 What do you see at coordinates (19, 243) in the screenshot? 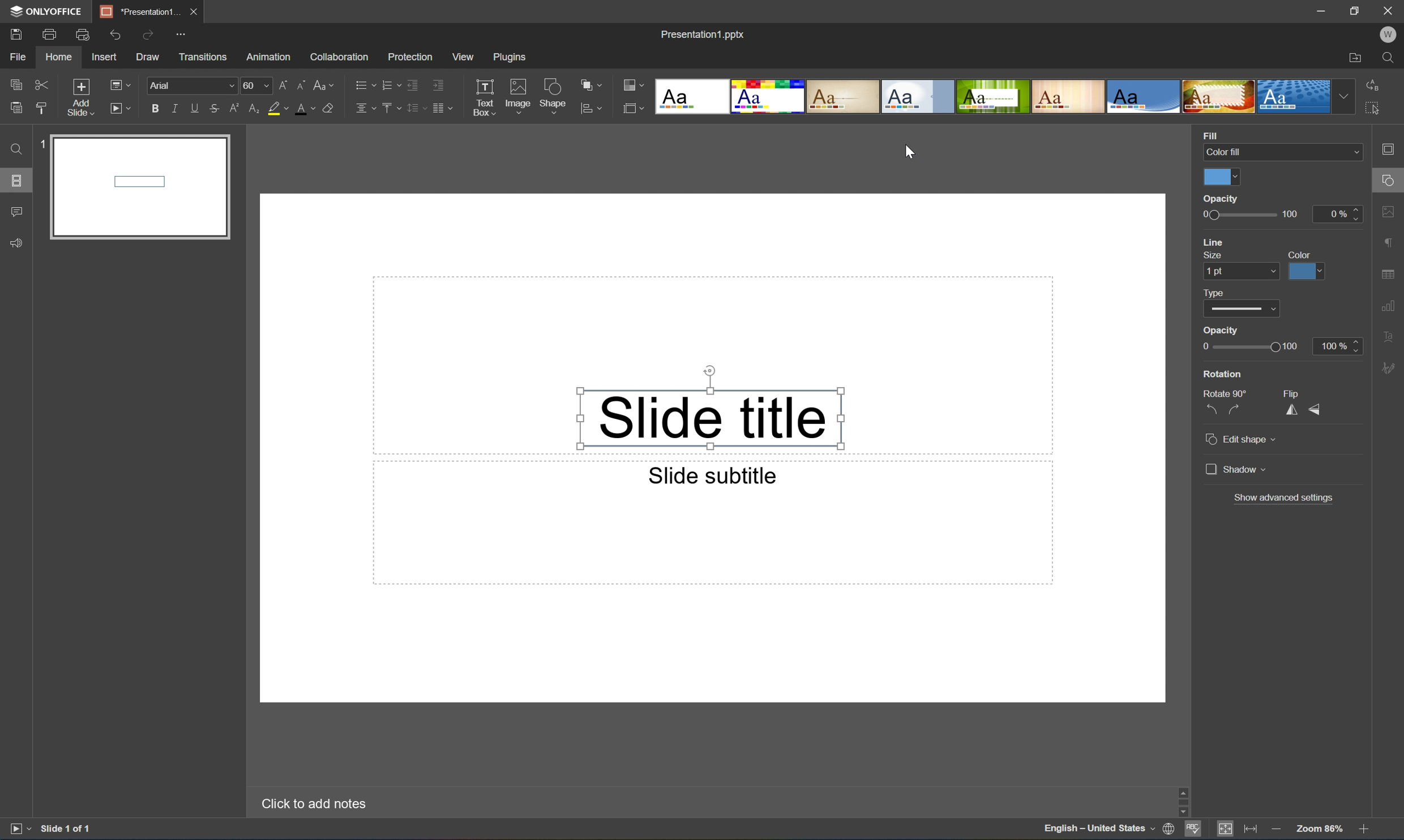
I see `Feedback & support` at bounding box center [19, 243].